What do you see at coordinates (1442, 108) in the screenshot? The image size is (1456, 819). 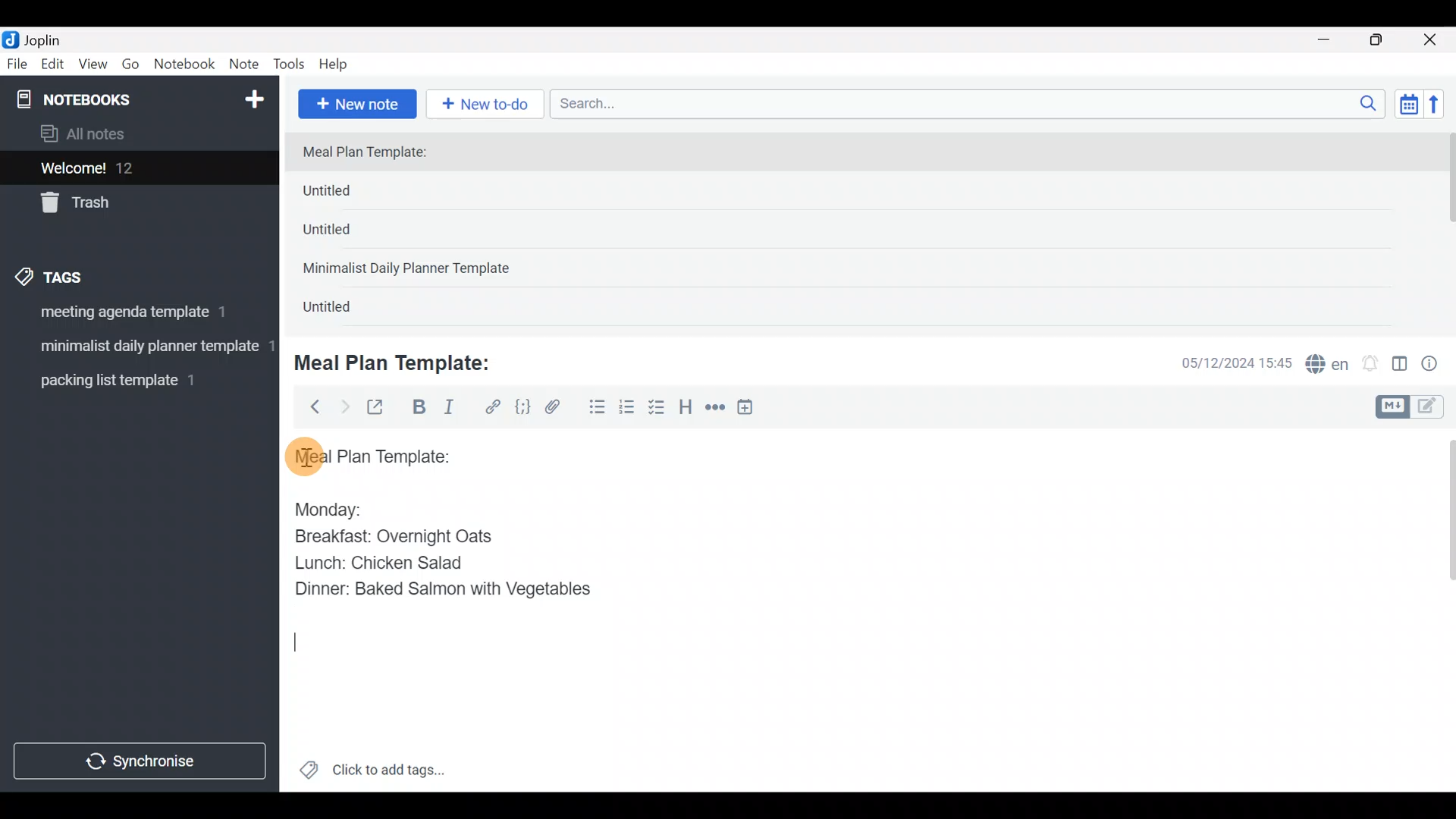 I see `Reverse sort` at bounding box center [1442, 108].